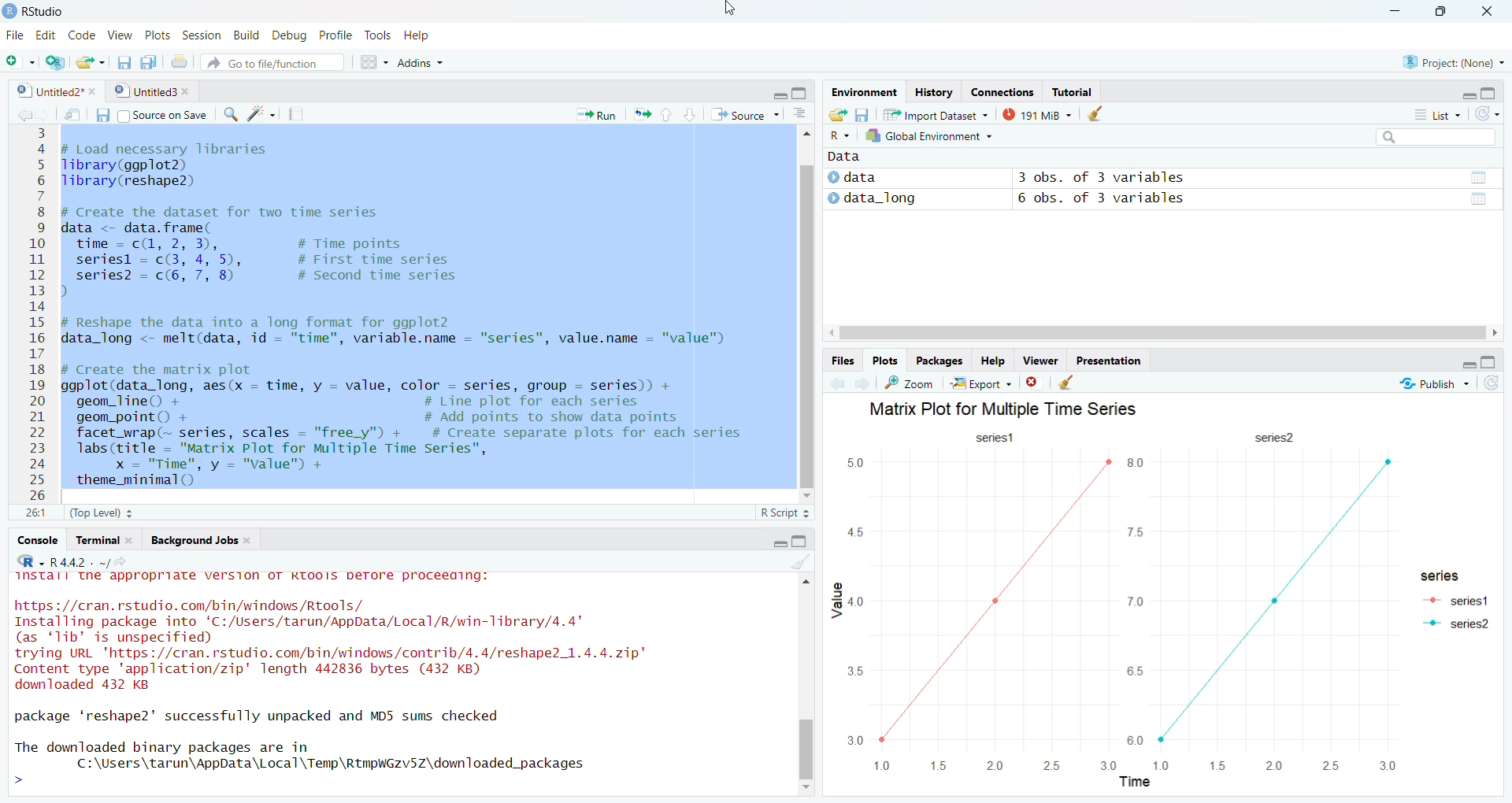 The height and width of the screenshot is (803, 1512). Describe the element at coordinates (36, 513) in the screenshot. I see `11` at that location.